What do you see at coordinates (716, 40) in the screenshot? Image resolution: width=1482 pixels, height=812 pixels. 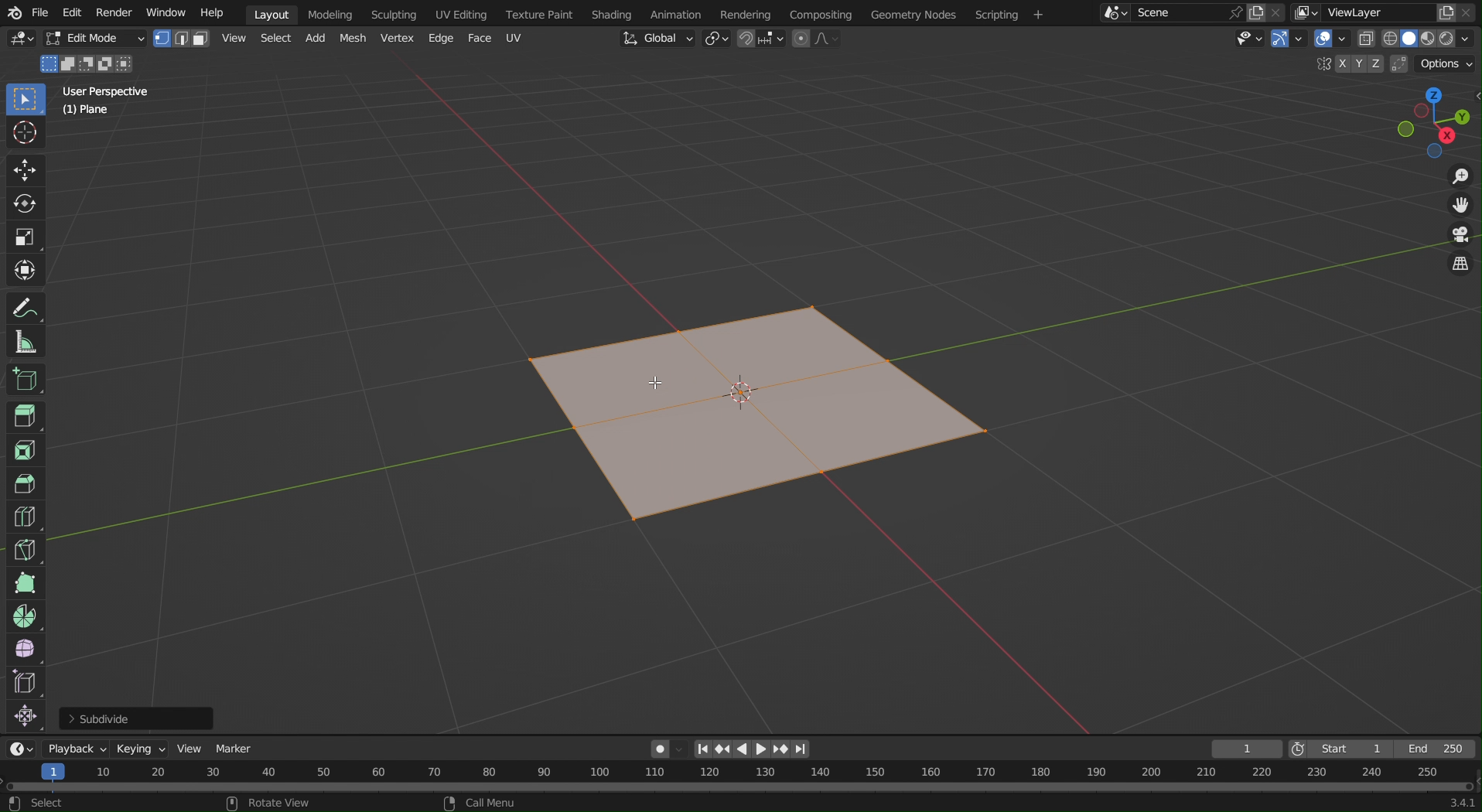 I see `Transform Pivot Point` at bounding box center [716, 40].